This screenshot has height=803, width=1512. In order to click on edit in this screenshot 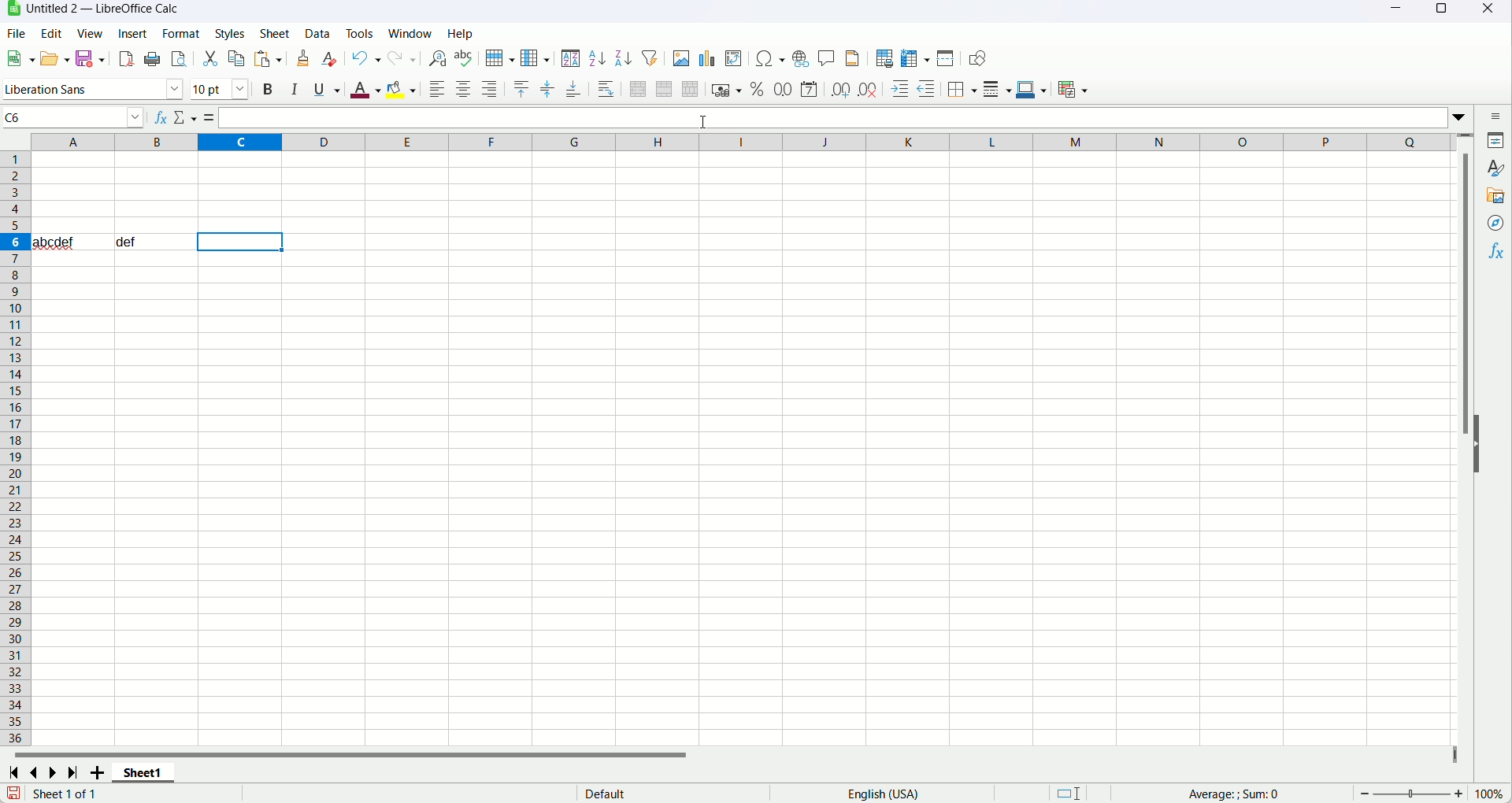, I will do `click(50, 34)`.